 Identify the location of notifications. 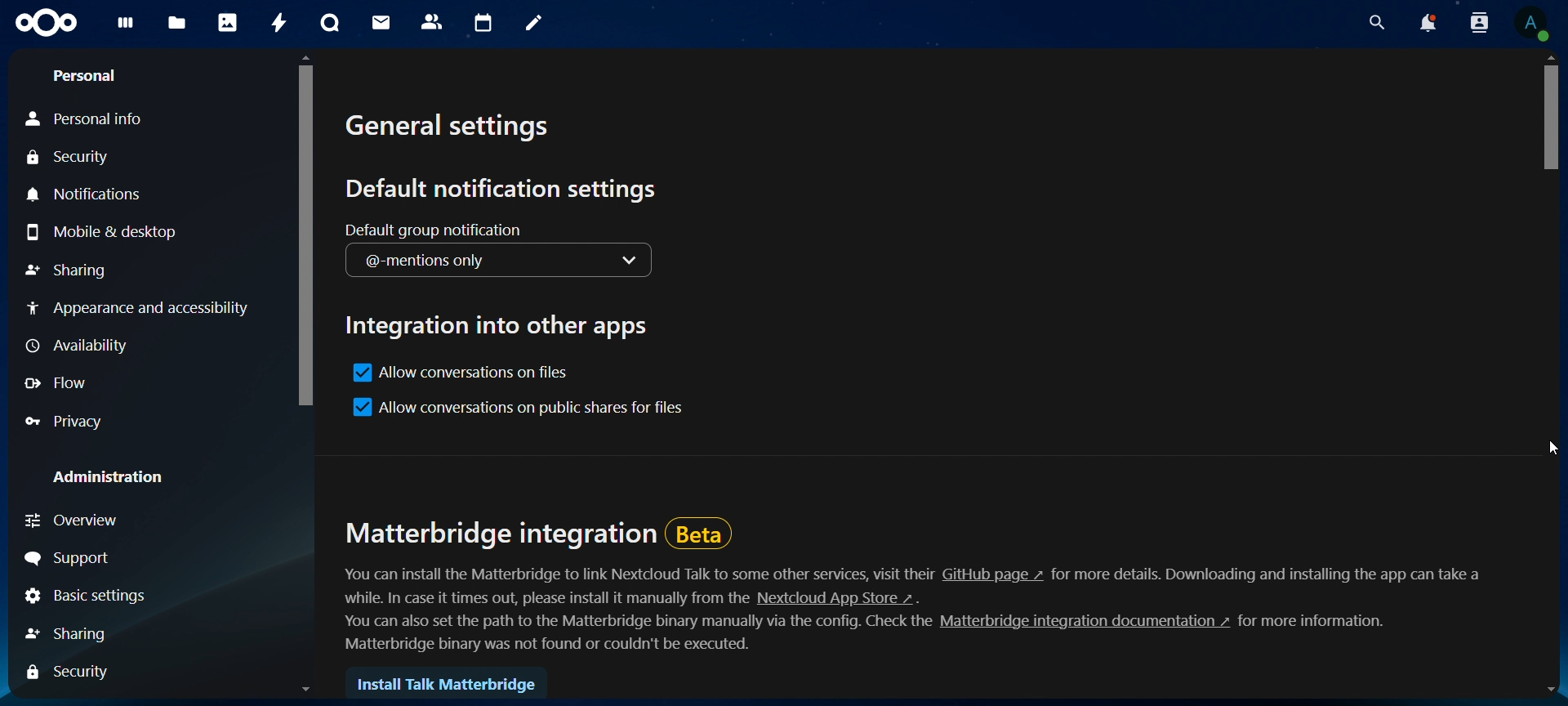
(1428, 23).